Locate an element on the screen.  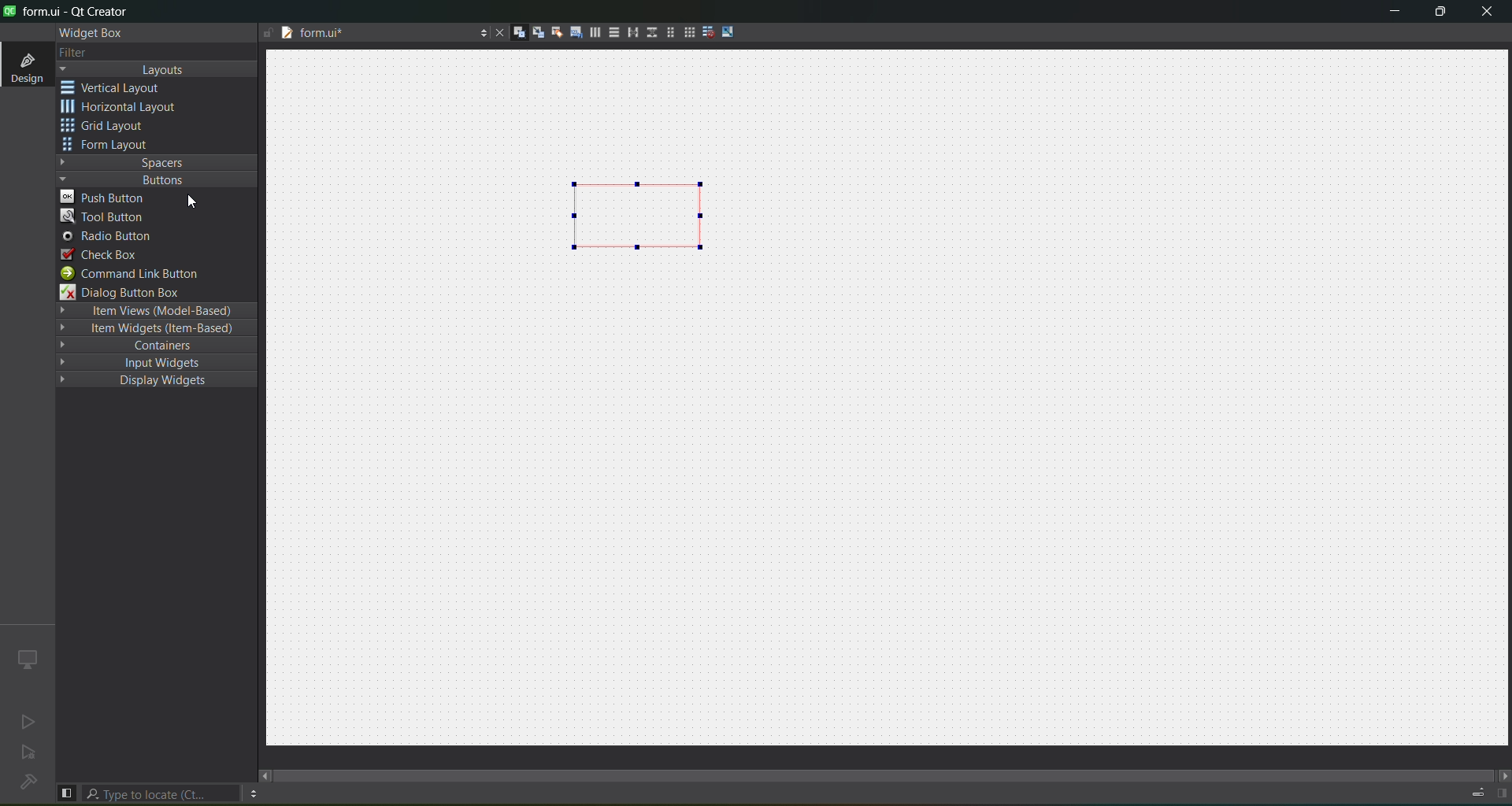
command link button is located at coordinates (139, 274).